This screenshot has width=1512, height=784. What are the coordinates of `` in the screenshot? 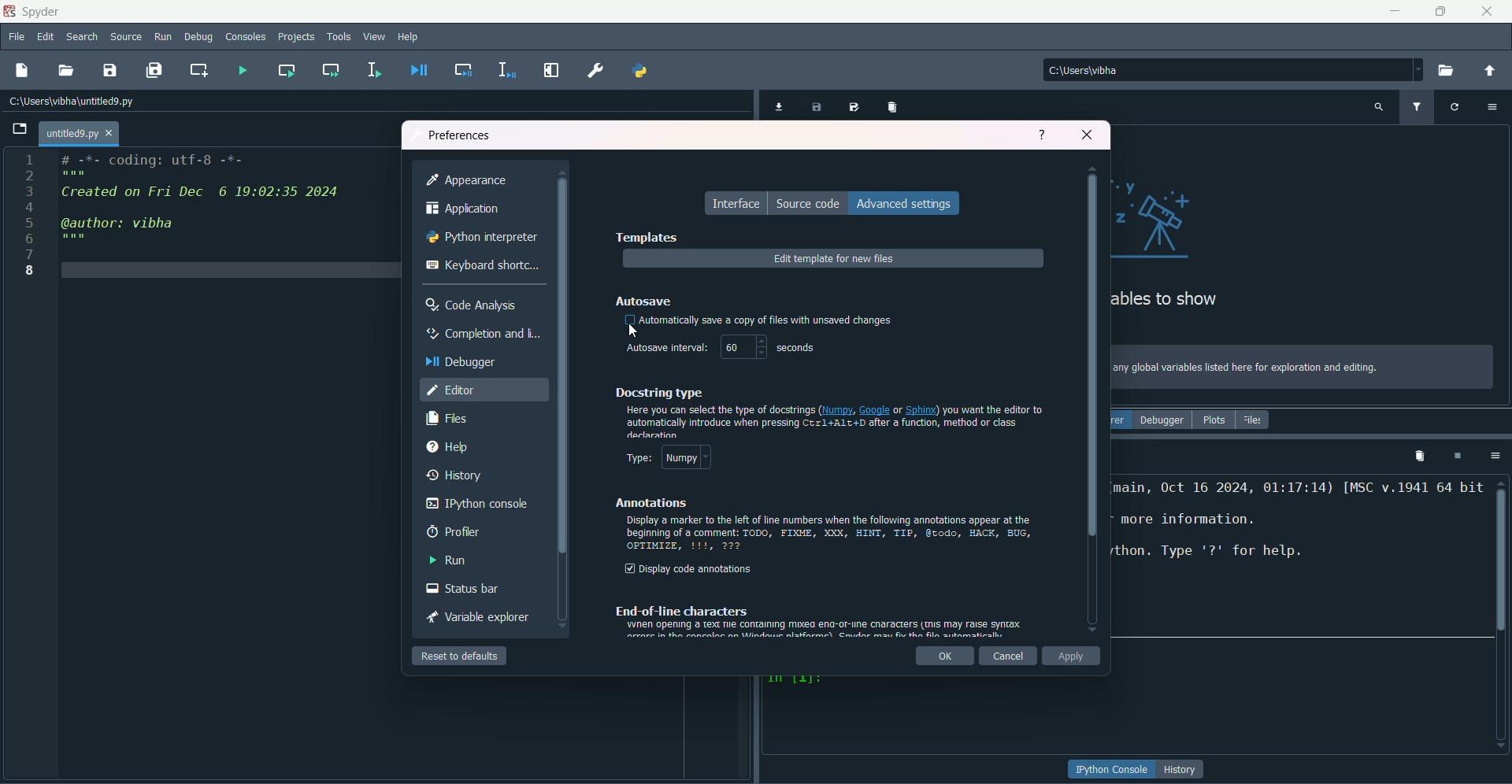 It's located at (297, 39).